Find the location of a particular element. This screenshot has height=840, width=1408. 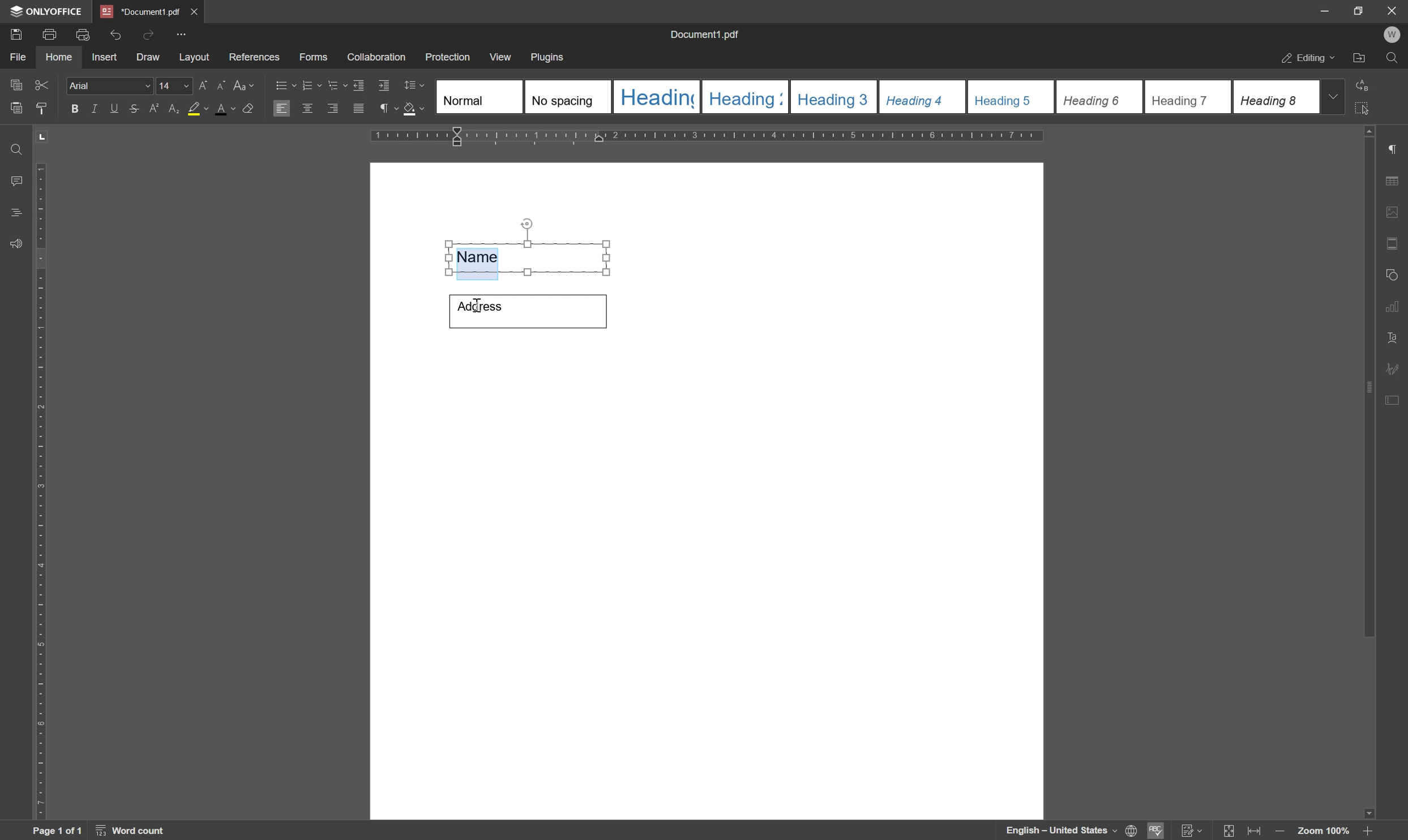

Address is located at coordinates (528, 312).